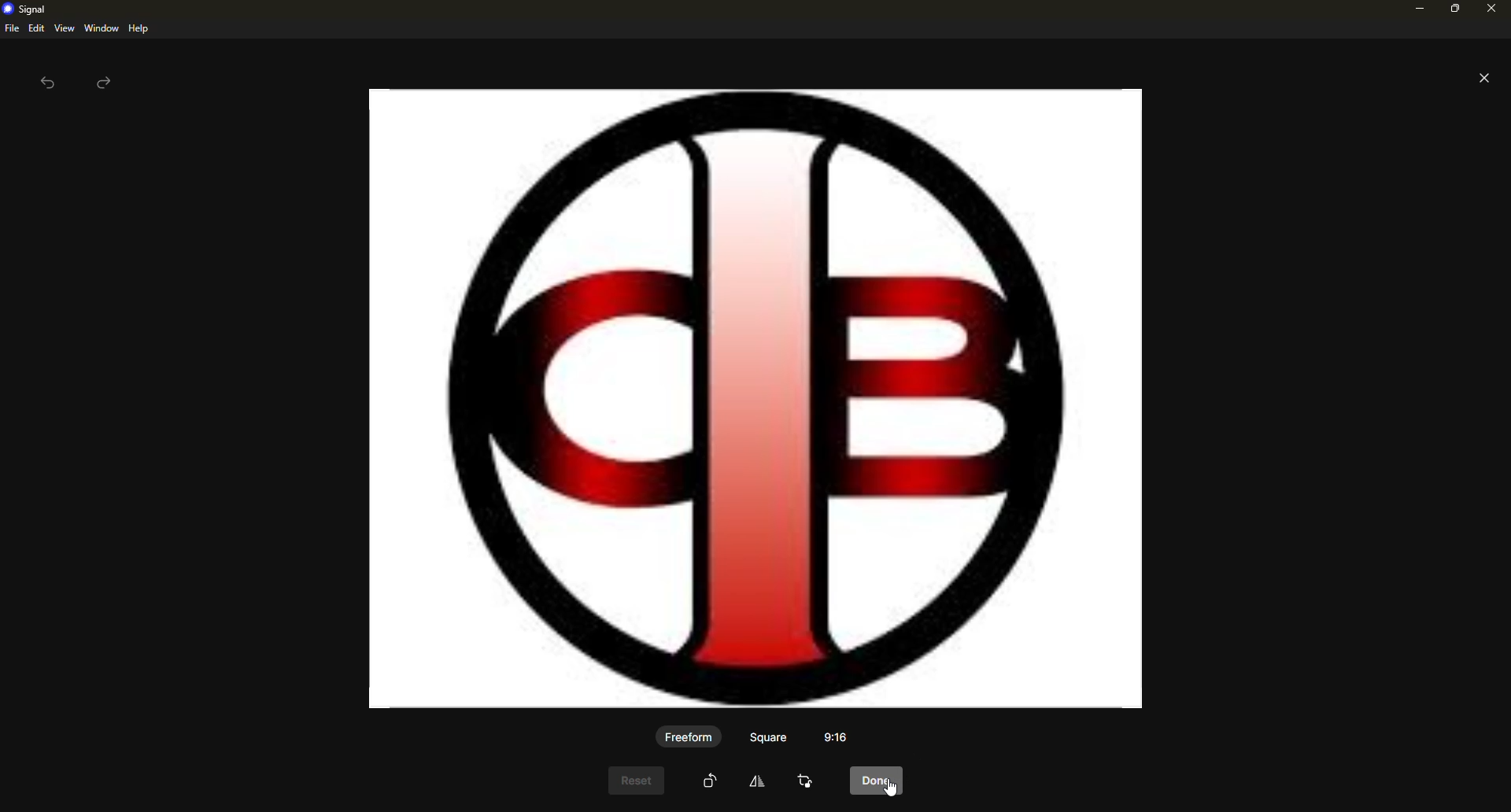 The height and width of the screenshot is (812, 1511). What do you see at coordinates (841, 738) in the screenshot?
I see `aspect ratio` at bounding box center [841, 738].